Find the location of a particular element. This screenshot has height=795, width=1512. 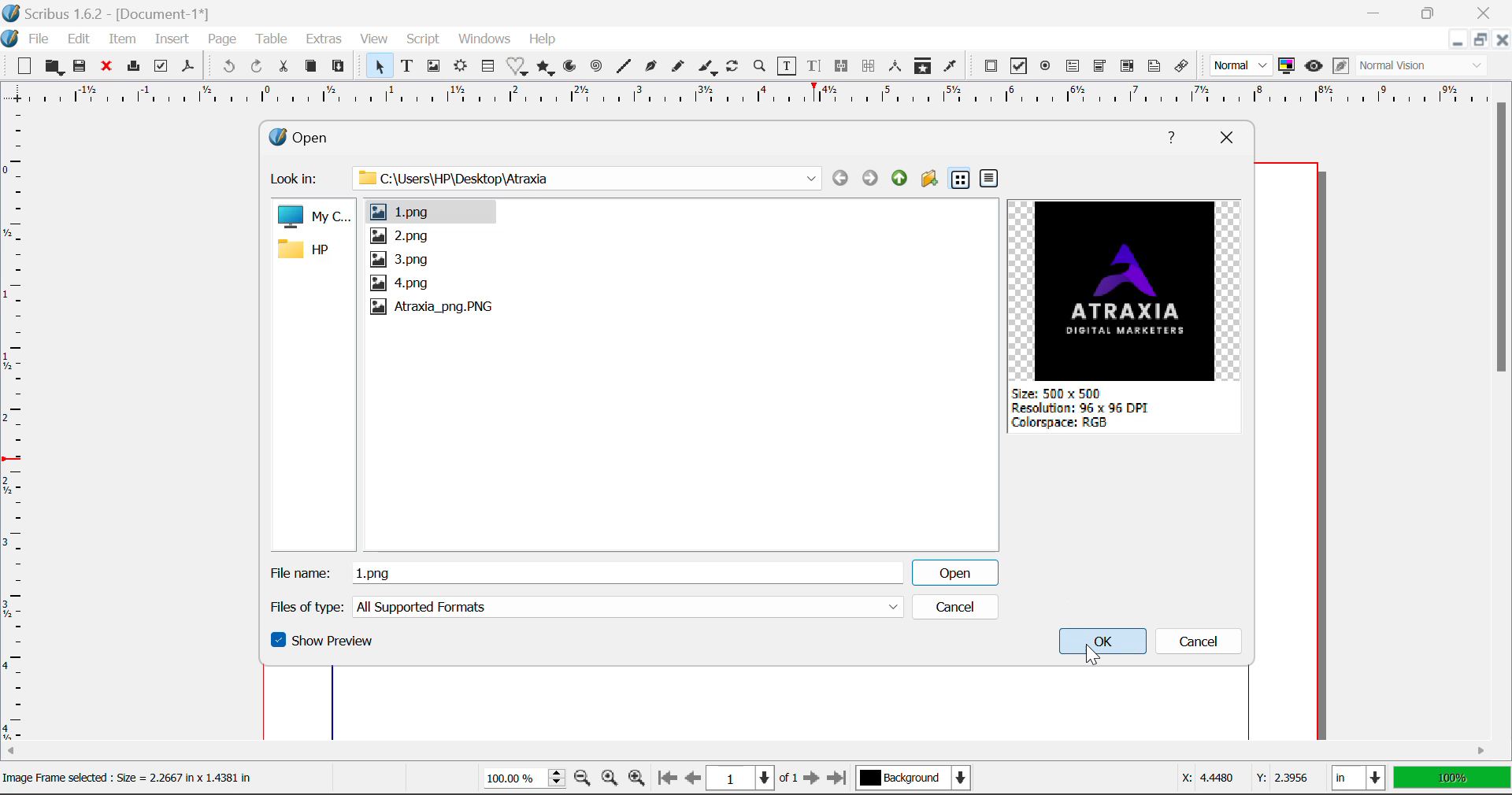

Insert is located at coordinates (170, 39).